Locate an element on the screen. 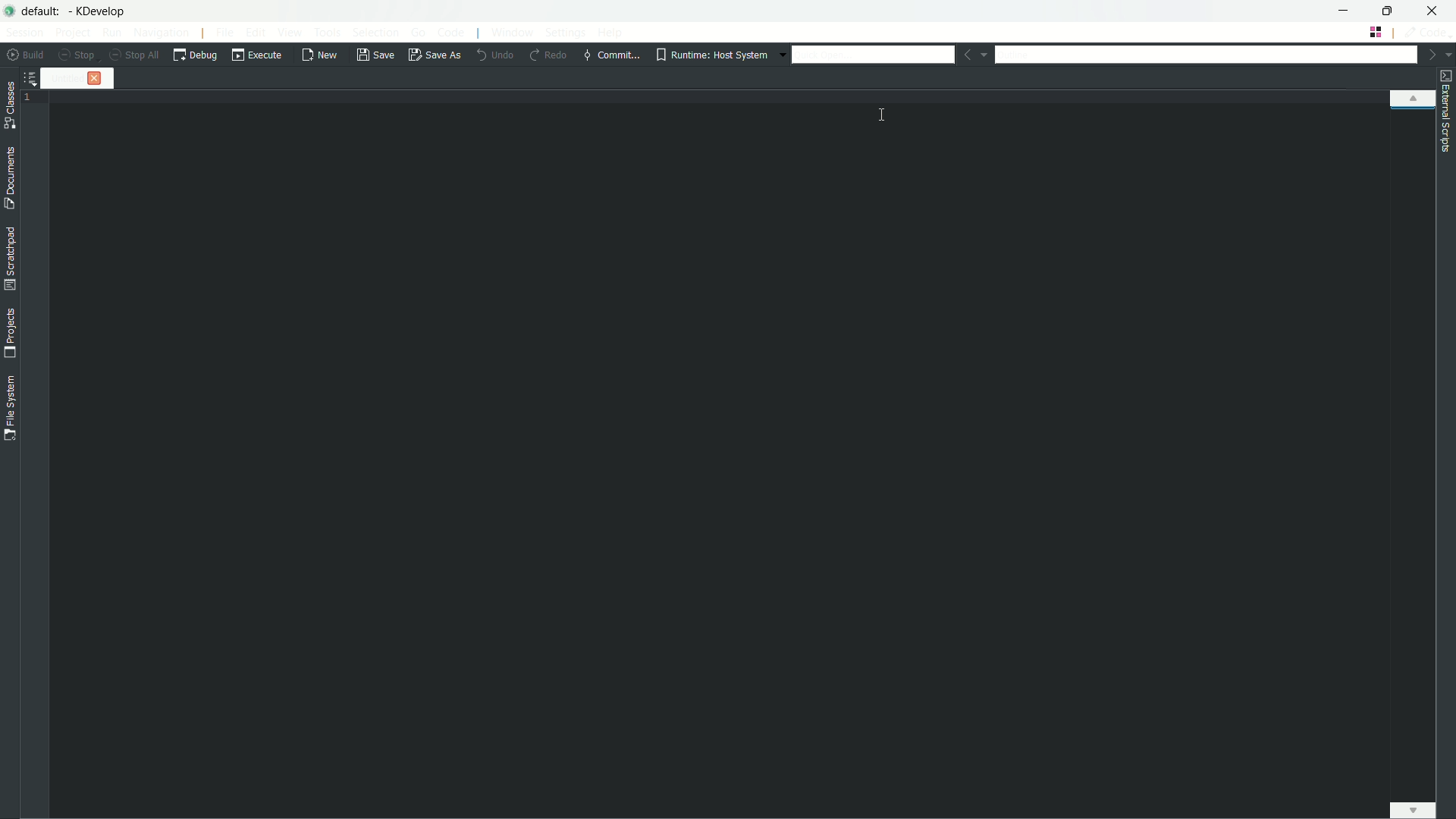 The height and width of the screenshot is (819, 1456). untitled is located at coordinates (69, 78).